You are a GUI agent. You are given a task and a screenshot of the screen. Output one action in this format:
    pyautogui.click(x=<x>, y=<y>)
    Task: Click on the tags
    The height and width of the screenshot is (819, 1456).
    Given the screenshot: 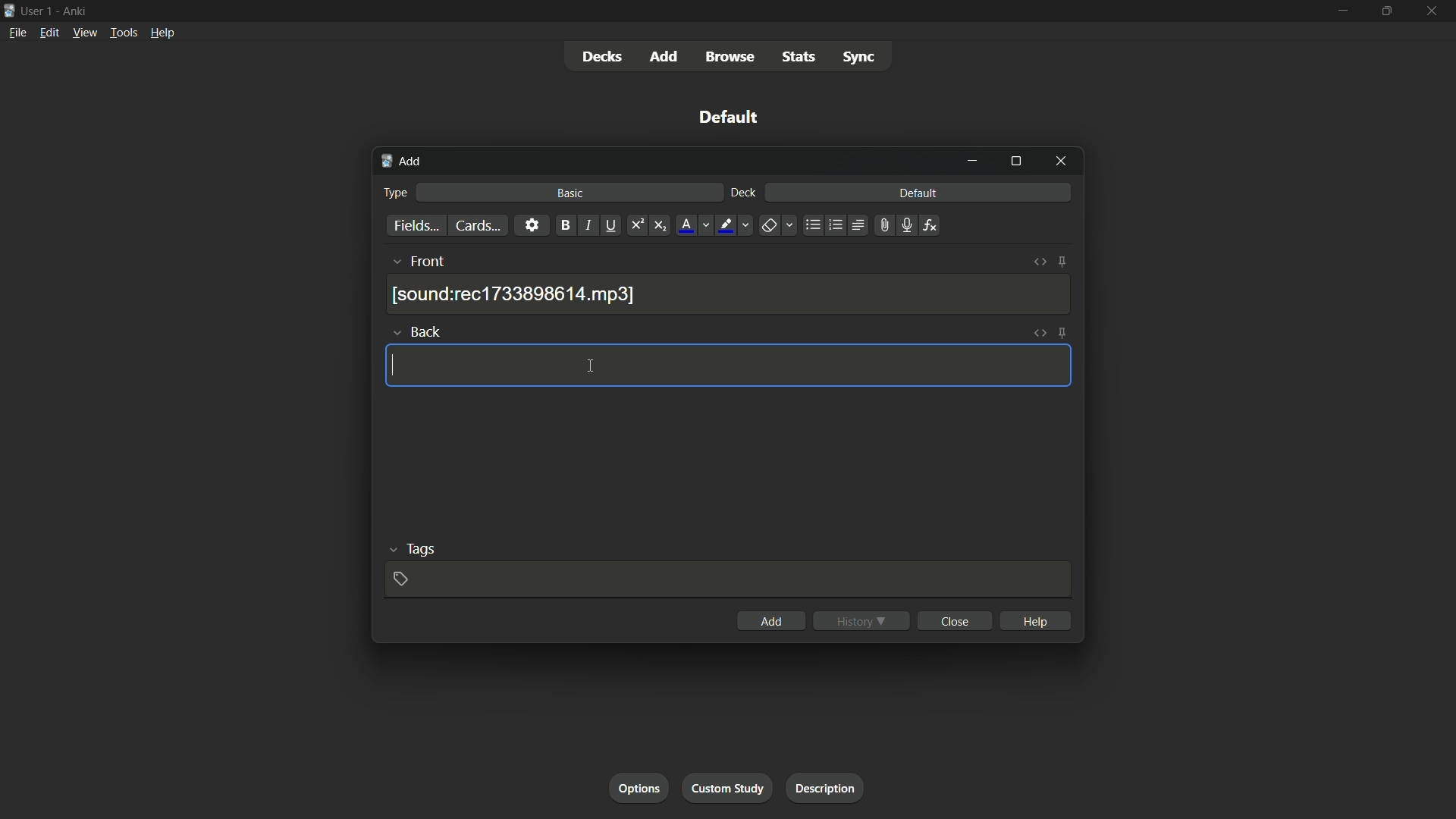 What is the action you would take?
    pyautogui.click(x=420, y=551)
    